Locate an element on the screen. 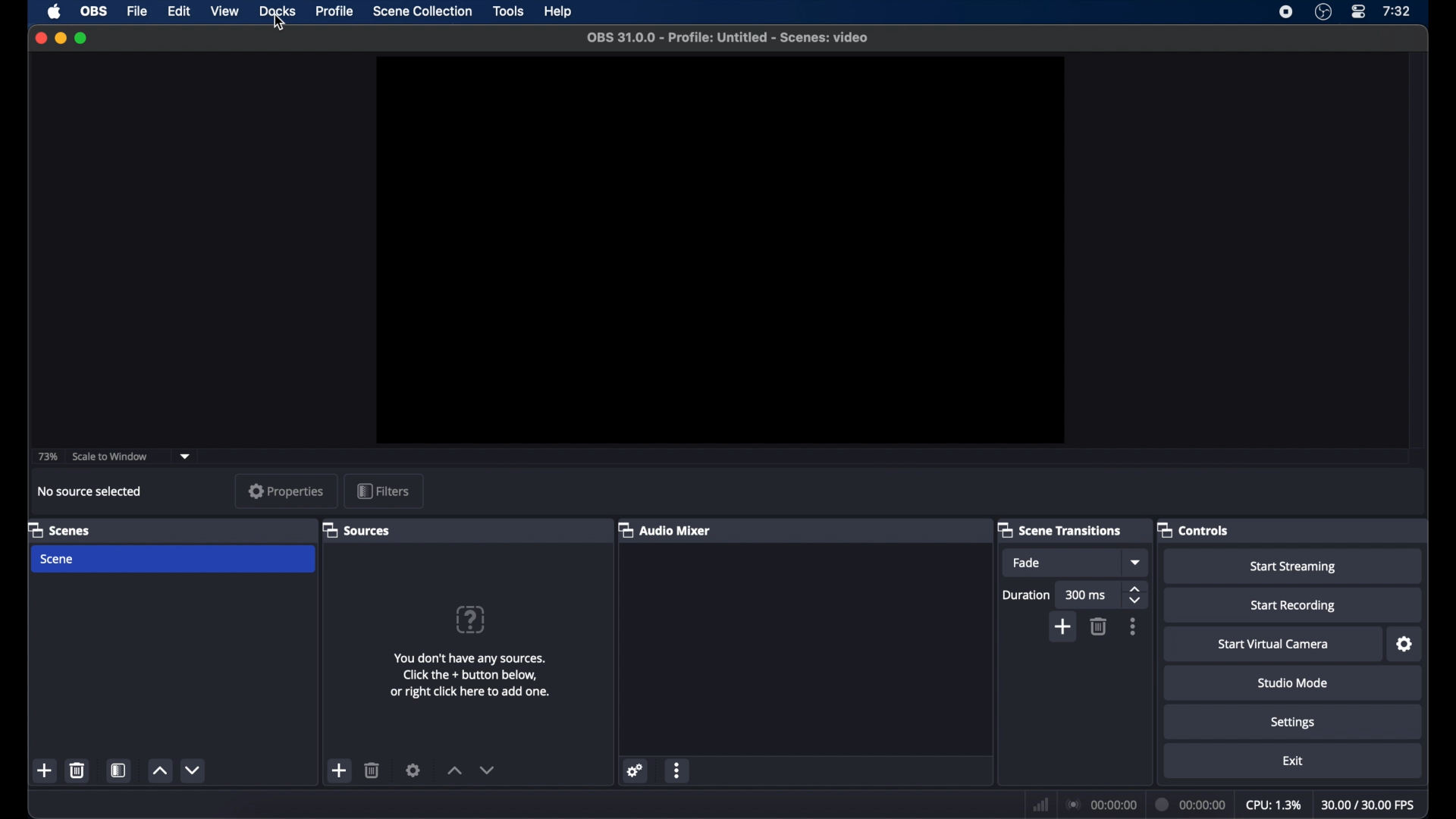  question mark icon is located at coordinates (472, 619).